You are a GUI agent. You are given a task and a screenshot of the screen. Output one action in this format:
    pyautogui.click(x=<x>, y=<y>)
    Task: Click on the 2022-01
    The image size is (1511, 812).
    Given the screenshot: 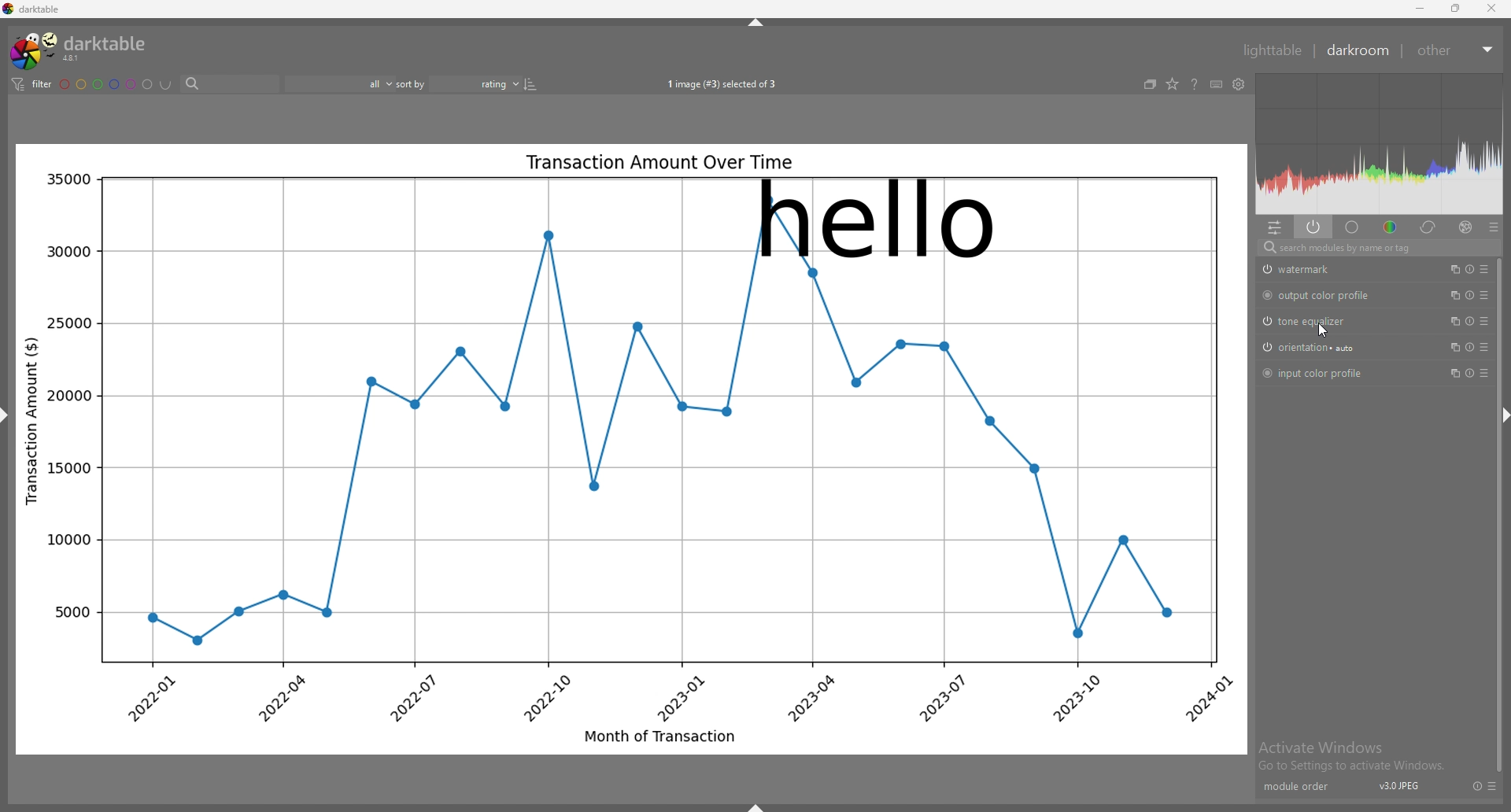 What is the action you would take?
    pyautogui.click(x=157, y=699)
    